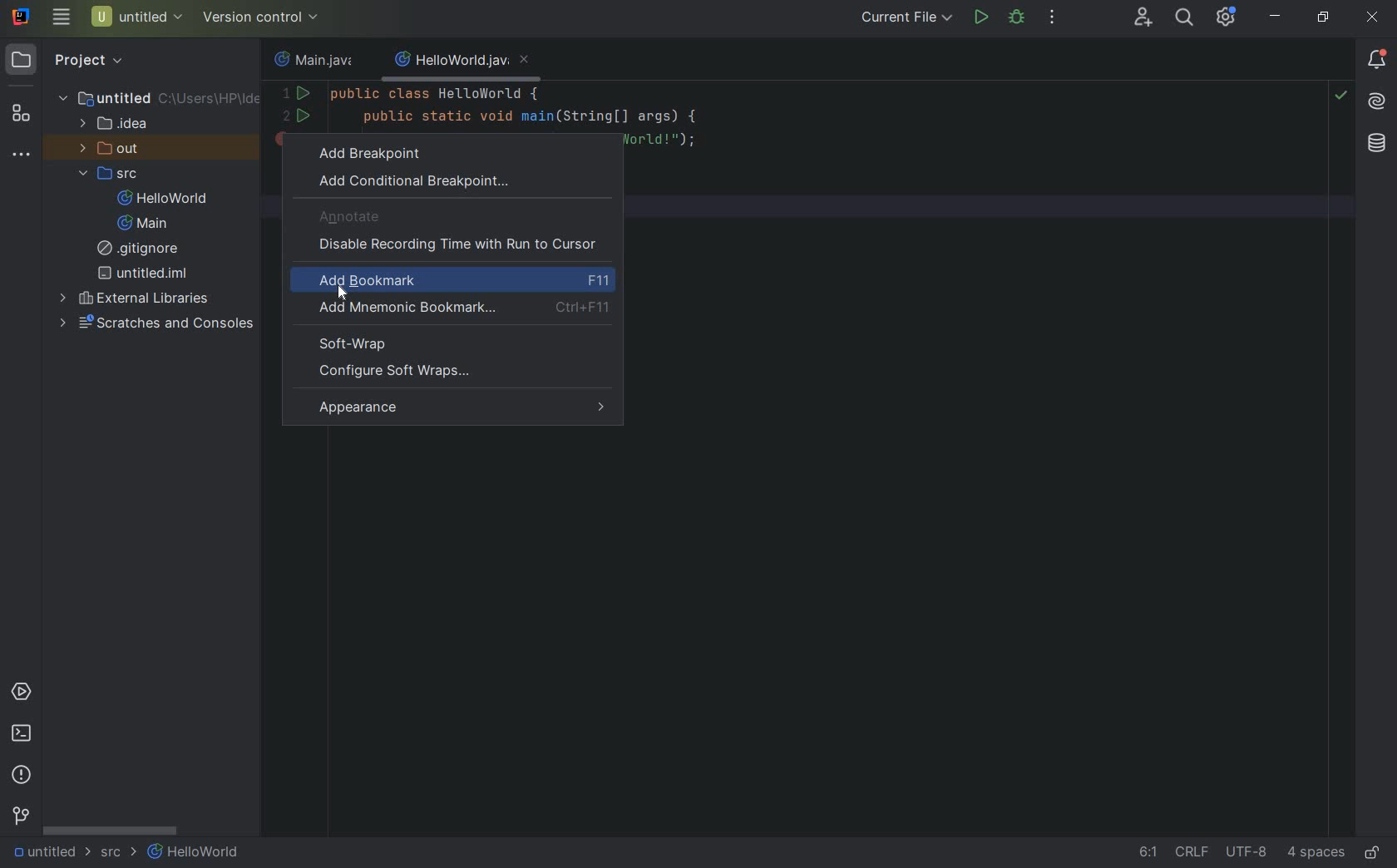  What do you see at coordinates (138, 224) in the screenshot?
I see `main` at bounding box center [138, 224].